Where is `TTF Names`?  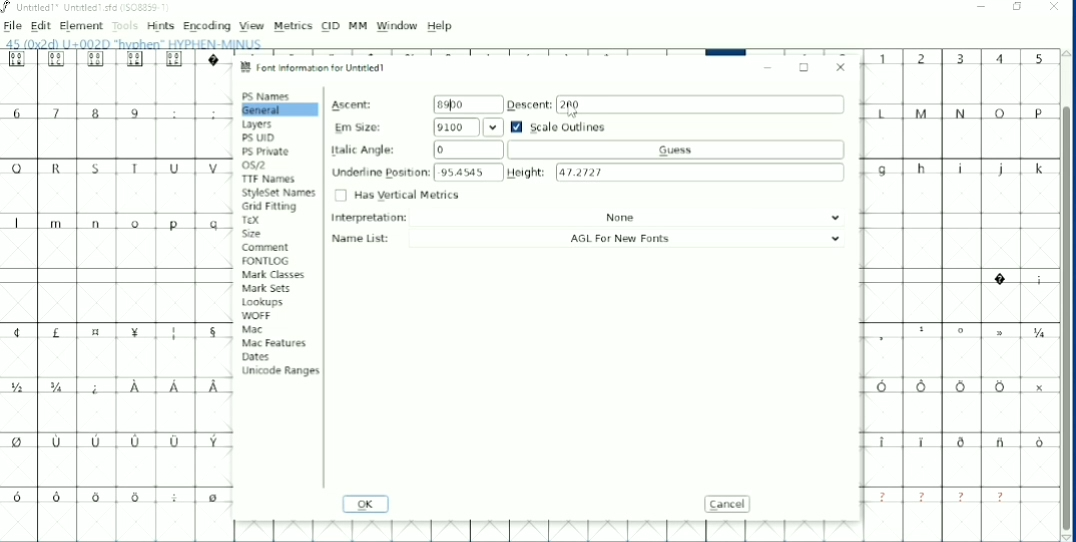
TTF Names is located at coordinates (269, 179).